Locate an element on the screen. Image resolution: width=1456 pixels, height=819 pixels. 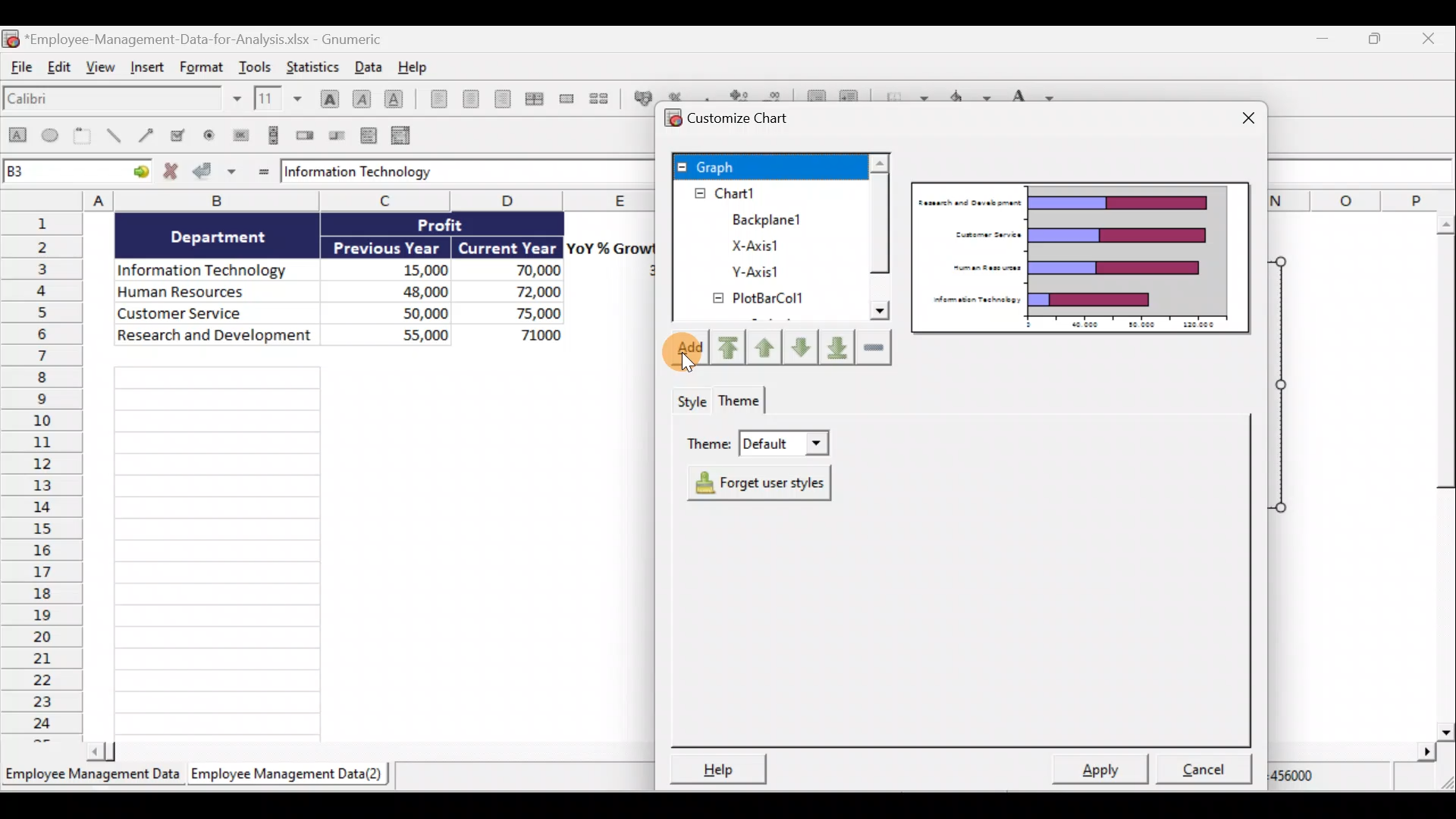
Cancel change is located at coordinates (171, 173).